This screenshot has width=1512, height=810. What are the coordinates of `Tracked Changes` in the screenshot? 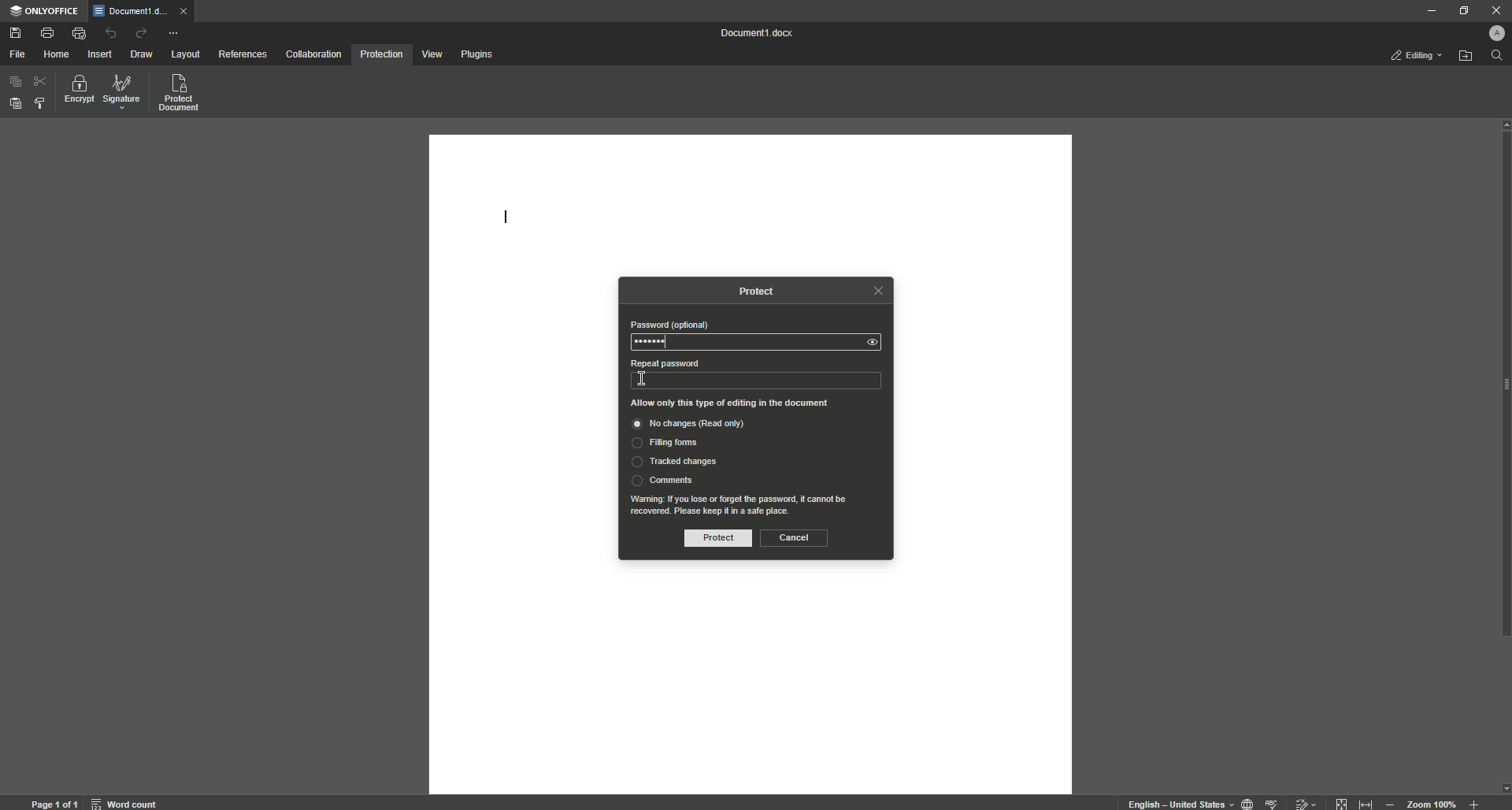 It's located at (673, 463).